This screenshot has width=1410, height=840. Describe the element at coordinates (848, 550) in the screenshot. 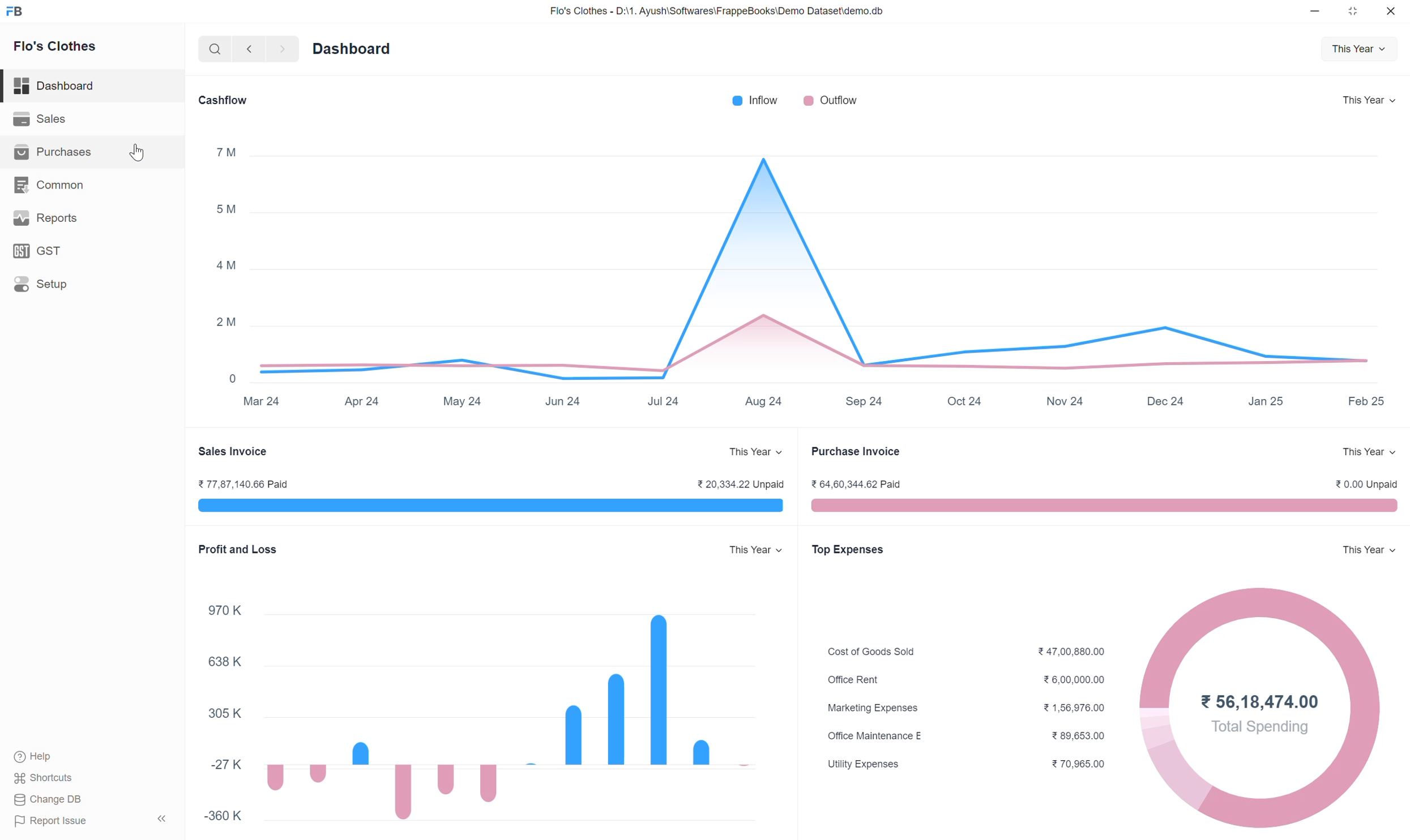

I see `Top Expenses` at that location.